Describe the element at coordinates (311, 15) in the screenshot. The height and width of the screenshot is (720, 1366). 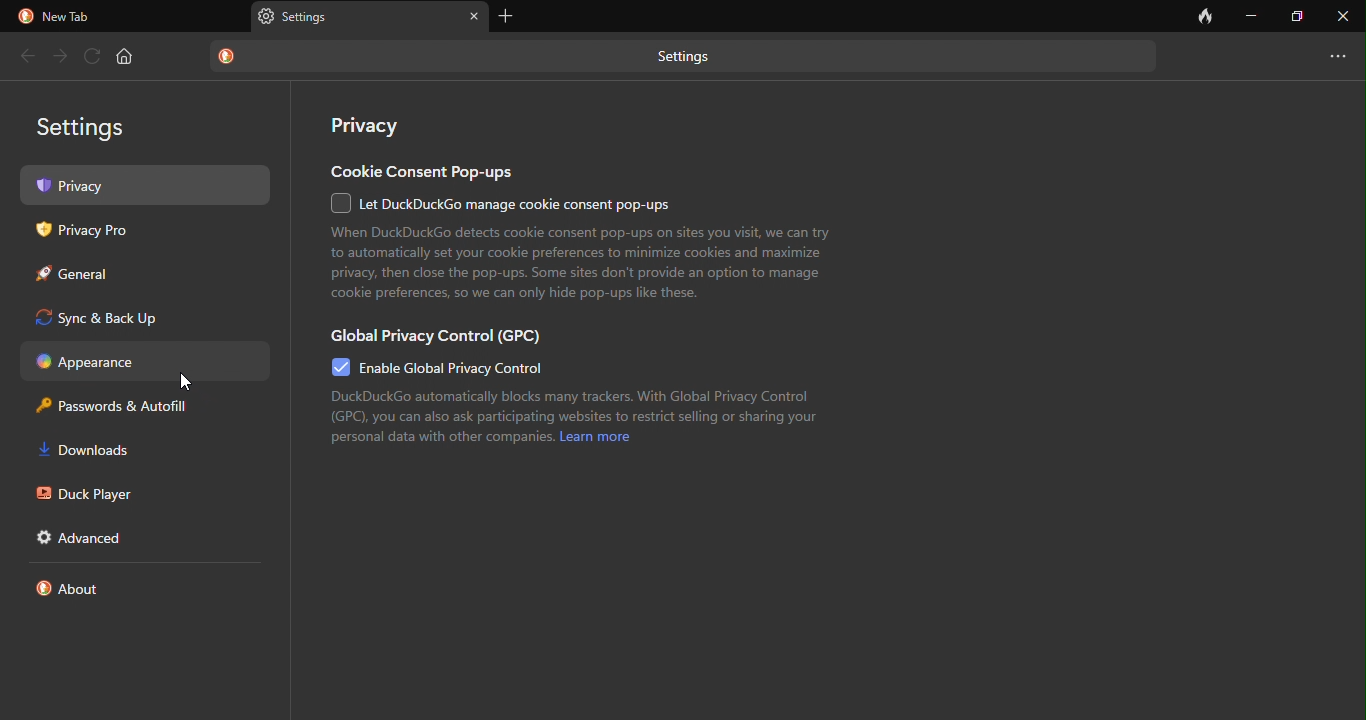
I see `tab name- settings` at that location.